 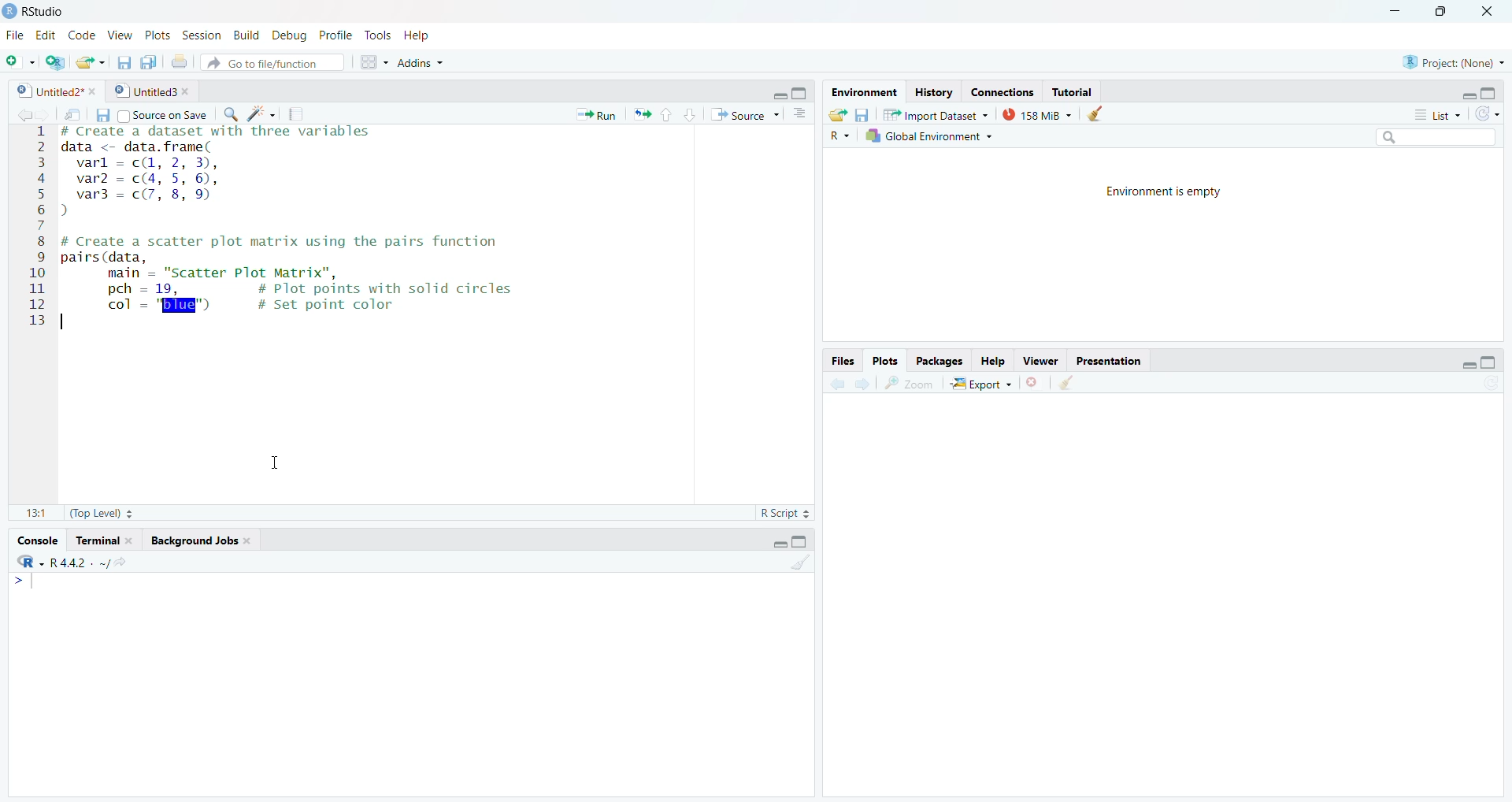 What do you see at coordinates (154, 91) in the screenshot?
I see `) | Untitled3` at bounding box center [154, 91].